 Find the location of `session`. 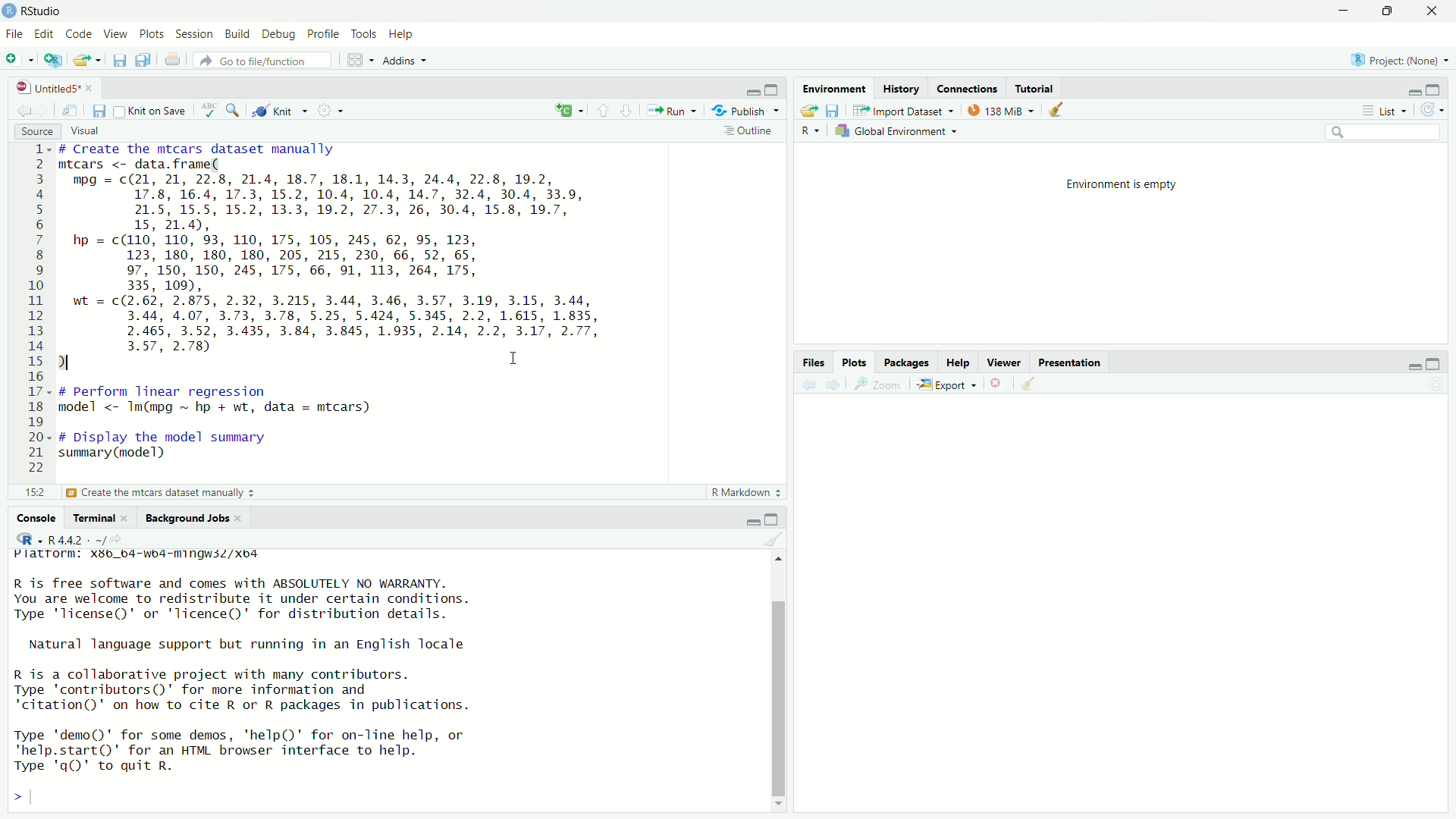

session is located at coordinates (194, 35).